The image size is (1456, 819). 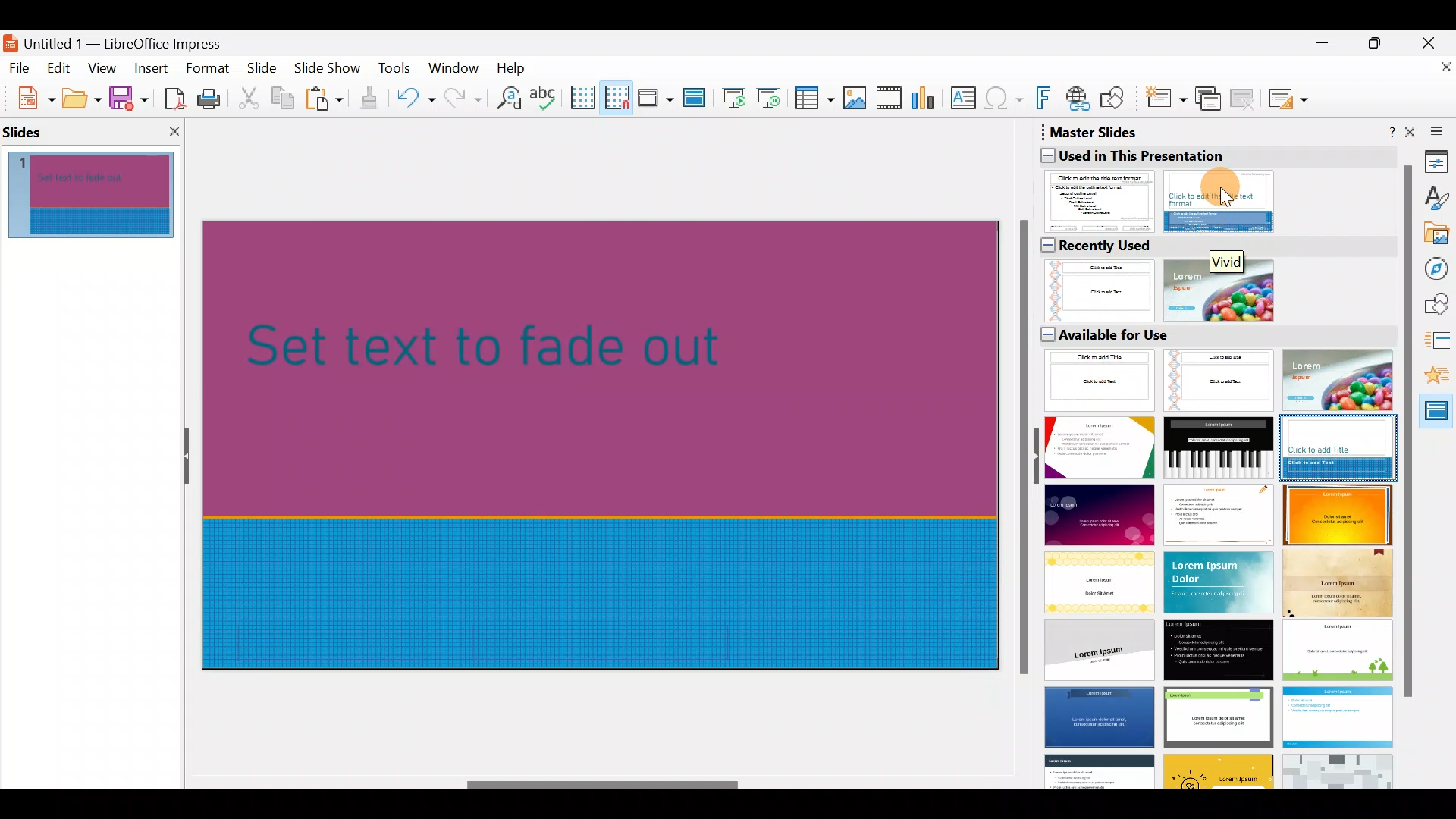 What do you see at coordinates (773, 97) in the screenshot?
I see `Start from current slide` at bounding box center [773, 97].